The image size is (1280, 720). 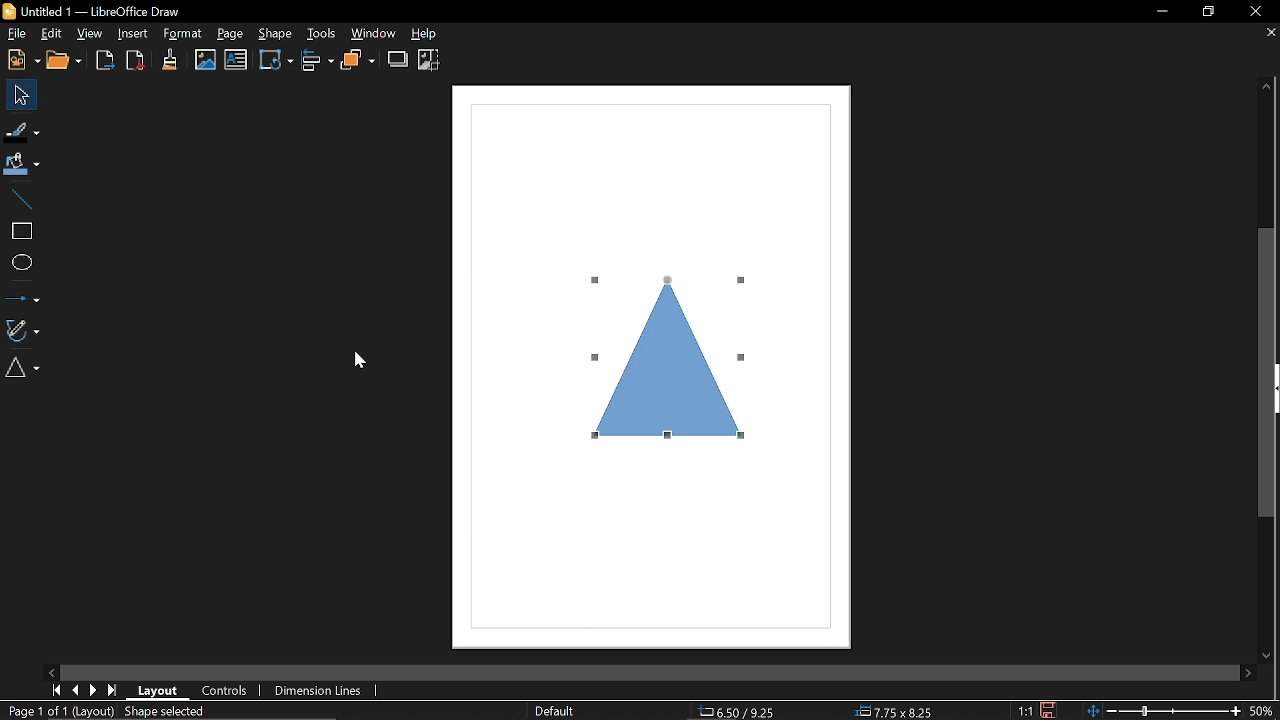 I want to click on Open, so click(x=68, y=62).